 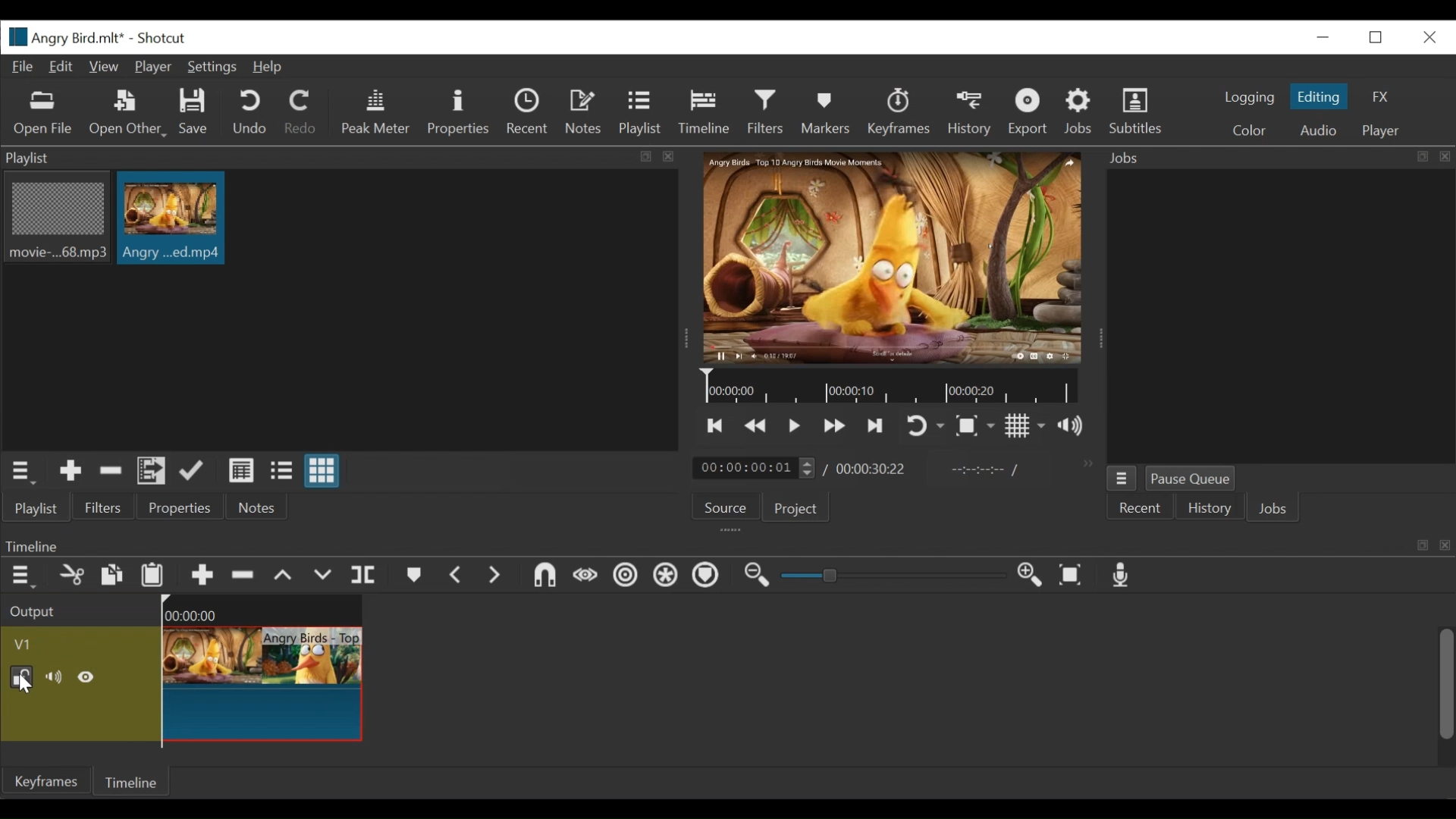 I want to click on Edit, so click(x=63, y=67).